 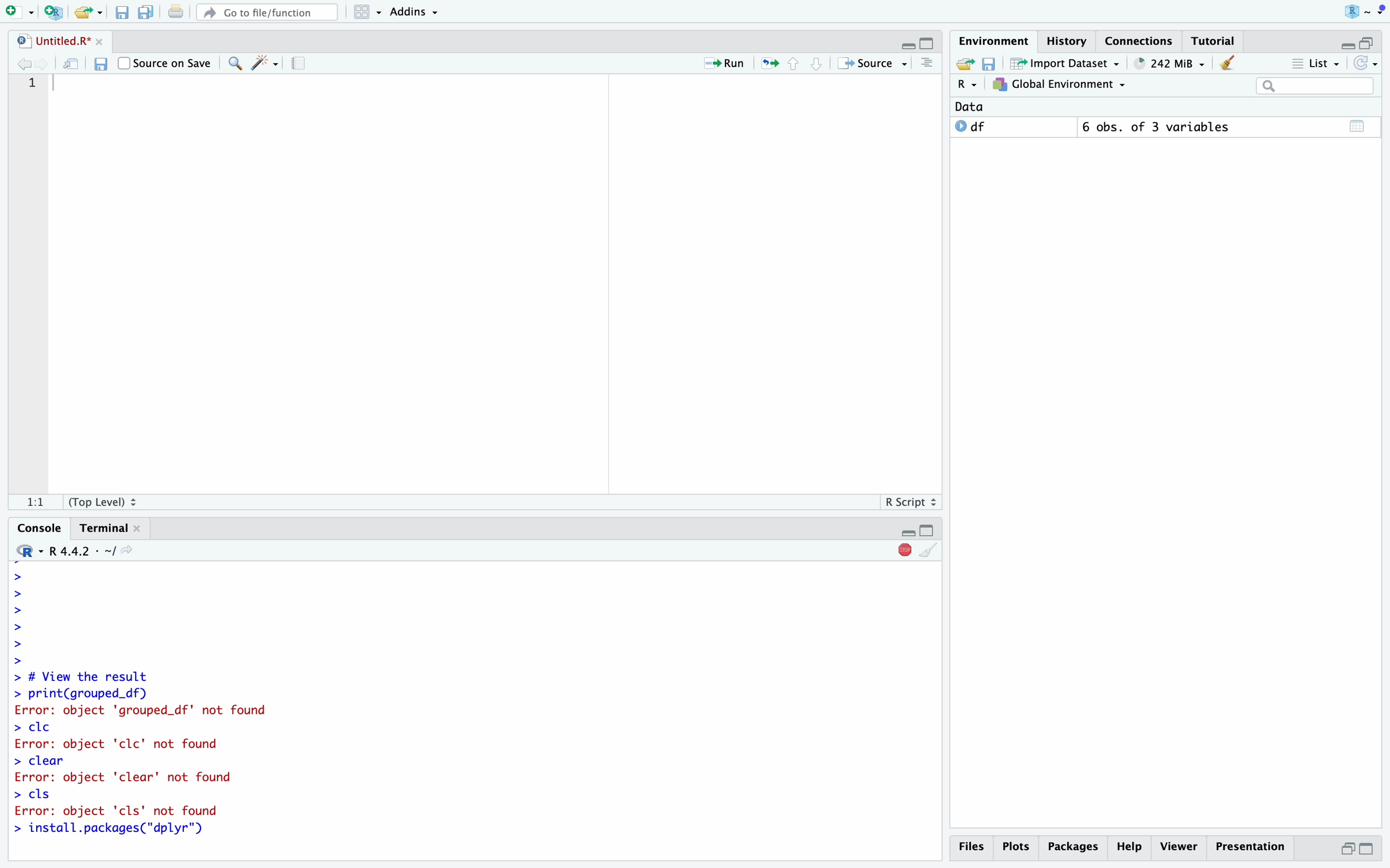 What do you see at coordinates (102, 64) in the screenshot?
I see `Save` at bounding box center [102, 64].